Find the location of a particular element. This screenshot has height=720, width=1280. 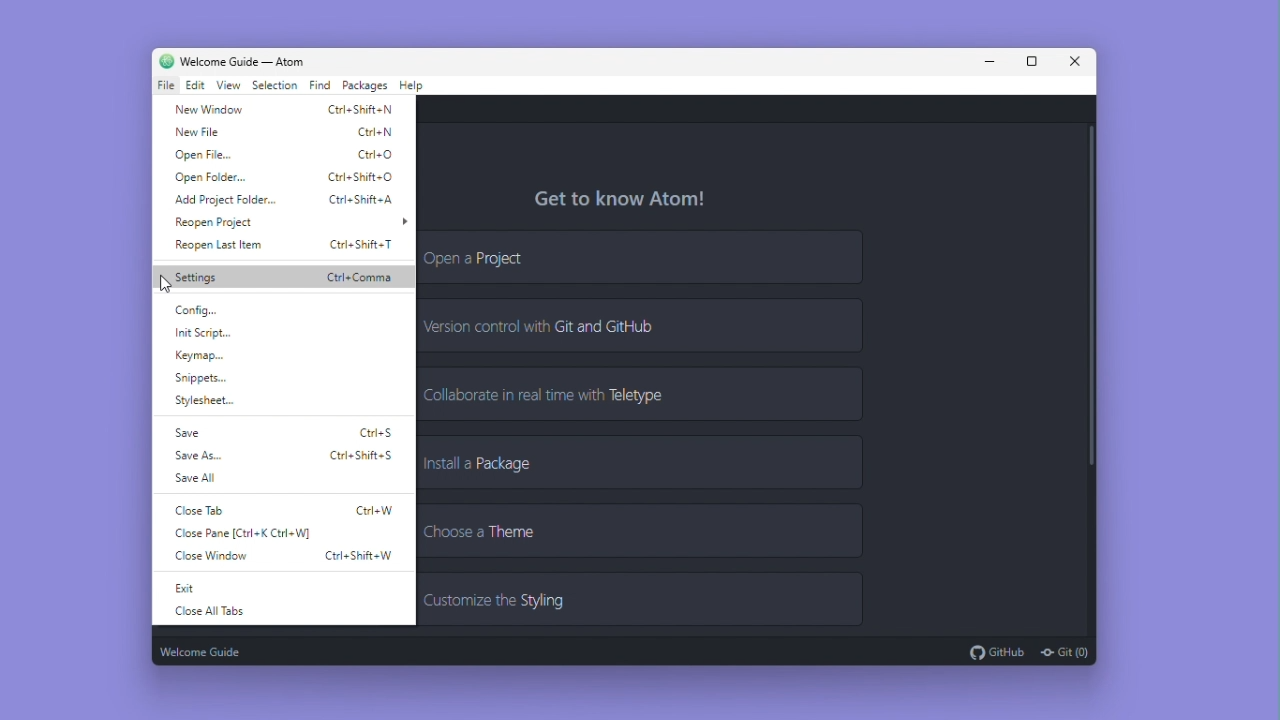

exit is located at coordinates (190, 589).